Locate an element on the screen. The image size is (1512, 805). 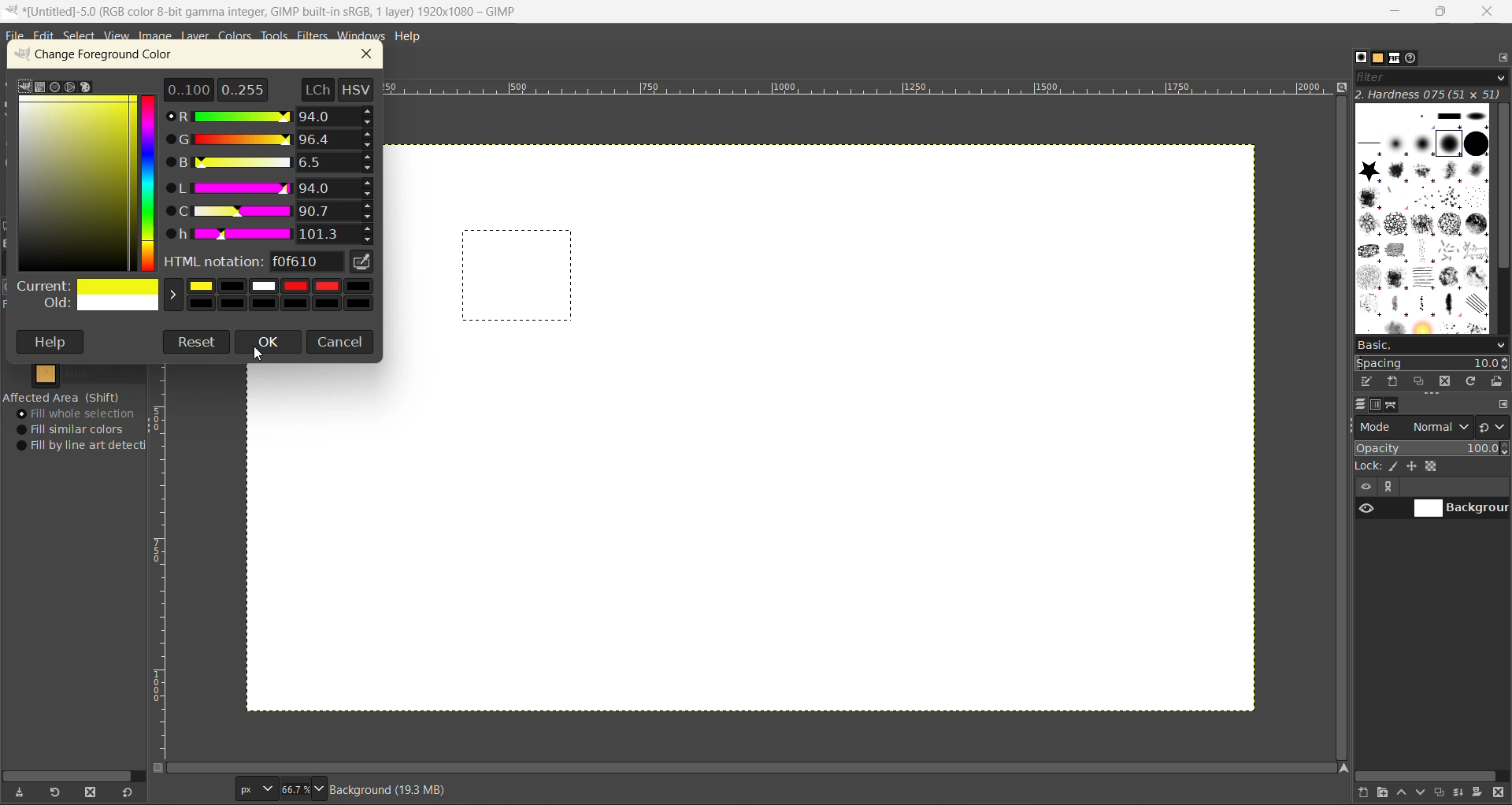
ok is located at coordinates (269, 343).